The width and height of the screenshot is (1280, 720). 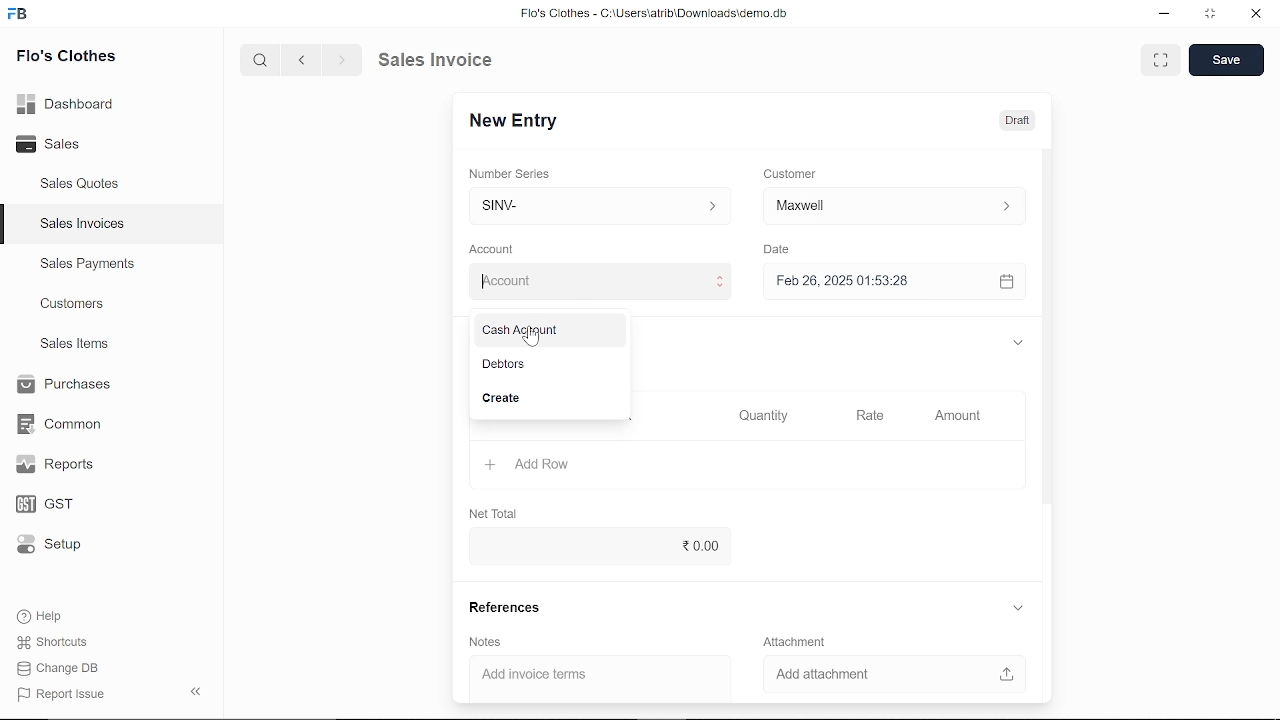 What do you see at coordinates (197, 689) in the screenshot?
I see `hide` at bounding box center [197, 689].